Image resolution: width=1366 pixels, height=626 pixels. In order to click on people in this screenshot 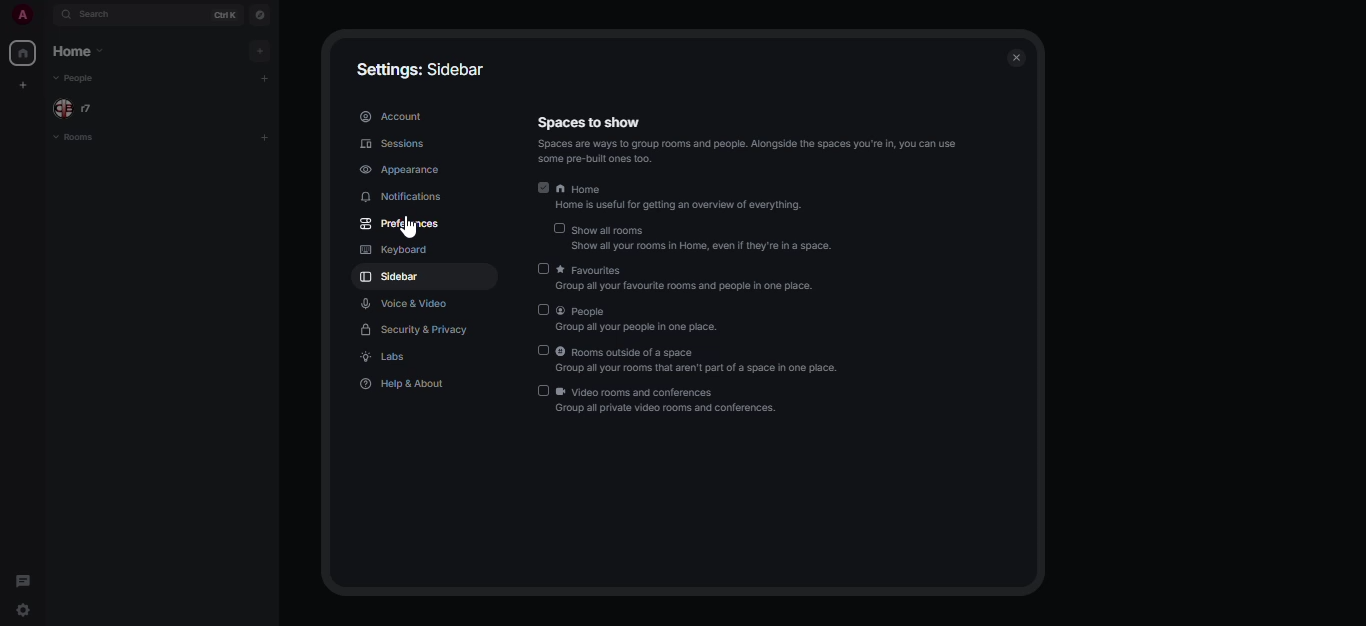, I will do `click(76, 79)`.